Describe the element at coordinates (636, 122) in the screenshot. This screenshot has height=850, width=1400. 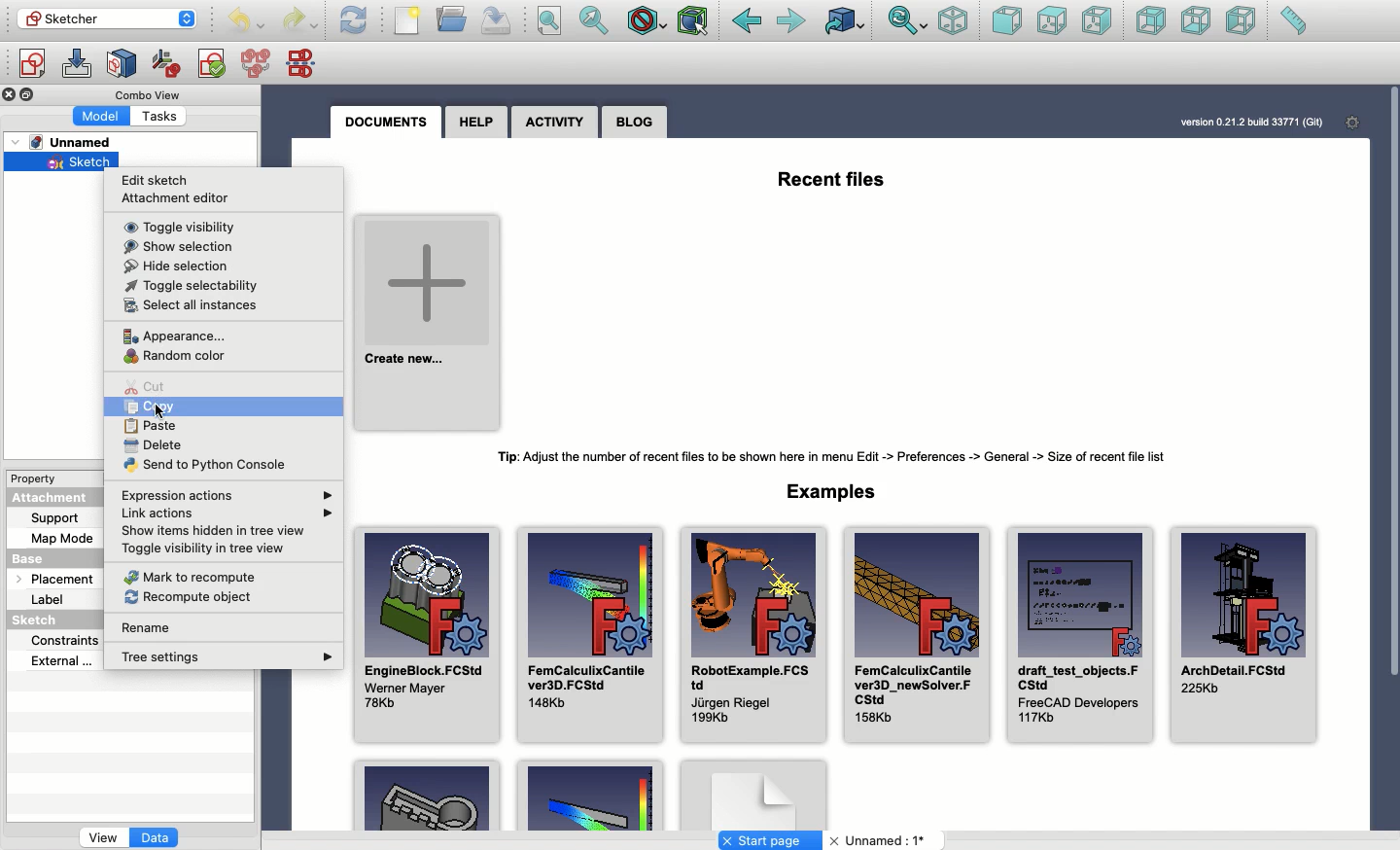
I see `Blog` at that location.